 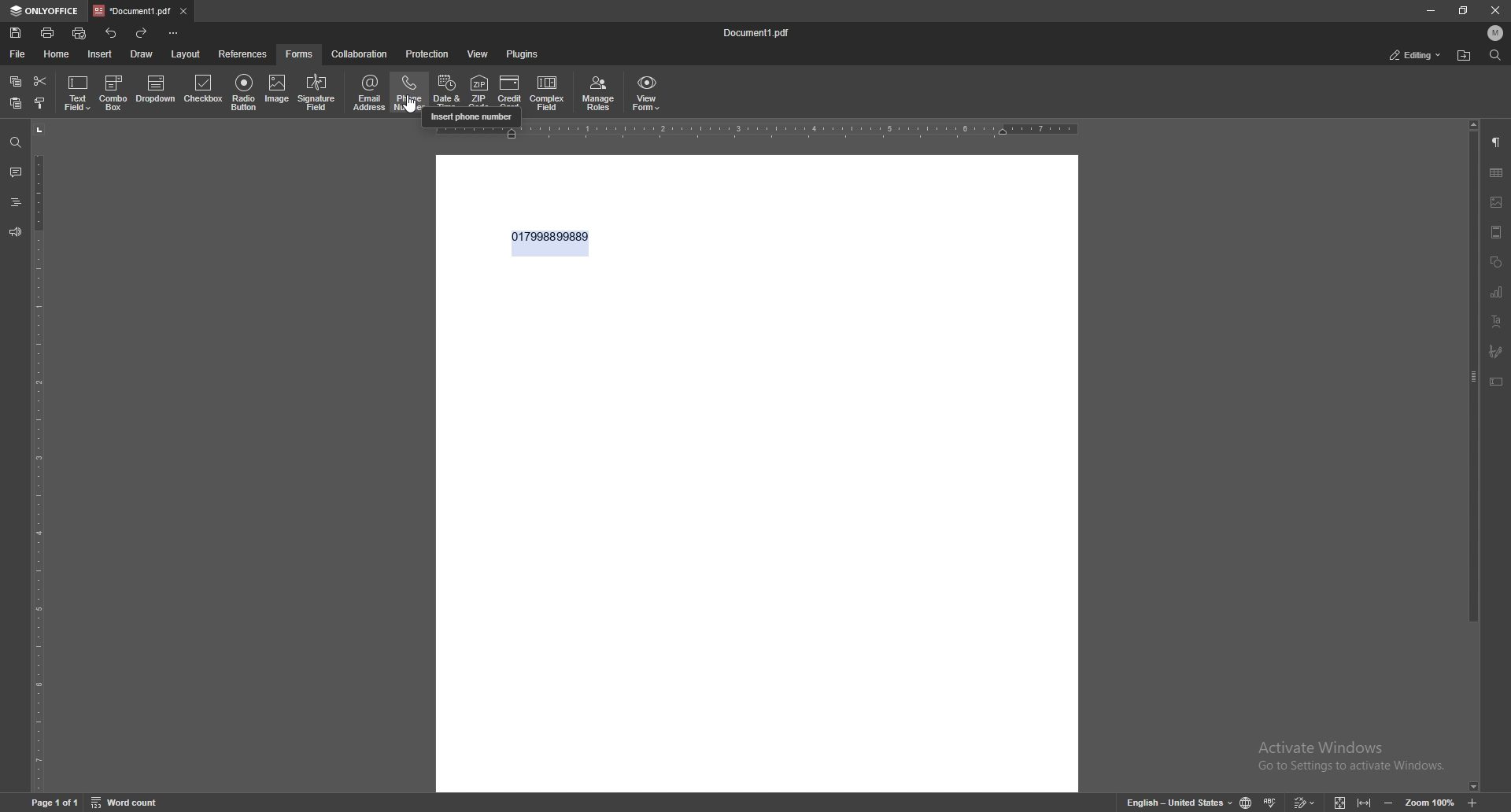 What do you see at coordinates (16, 202) in the screenshot?
I see `heading` at bounding box center [16, 202].